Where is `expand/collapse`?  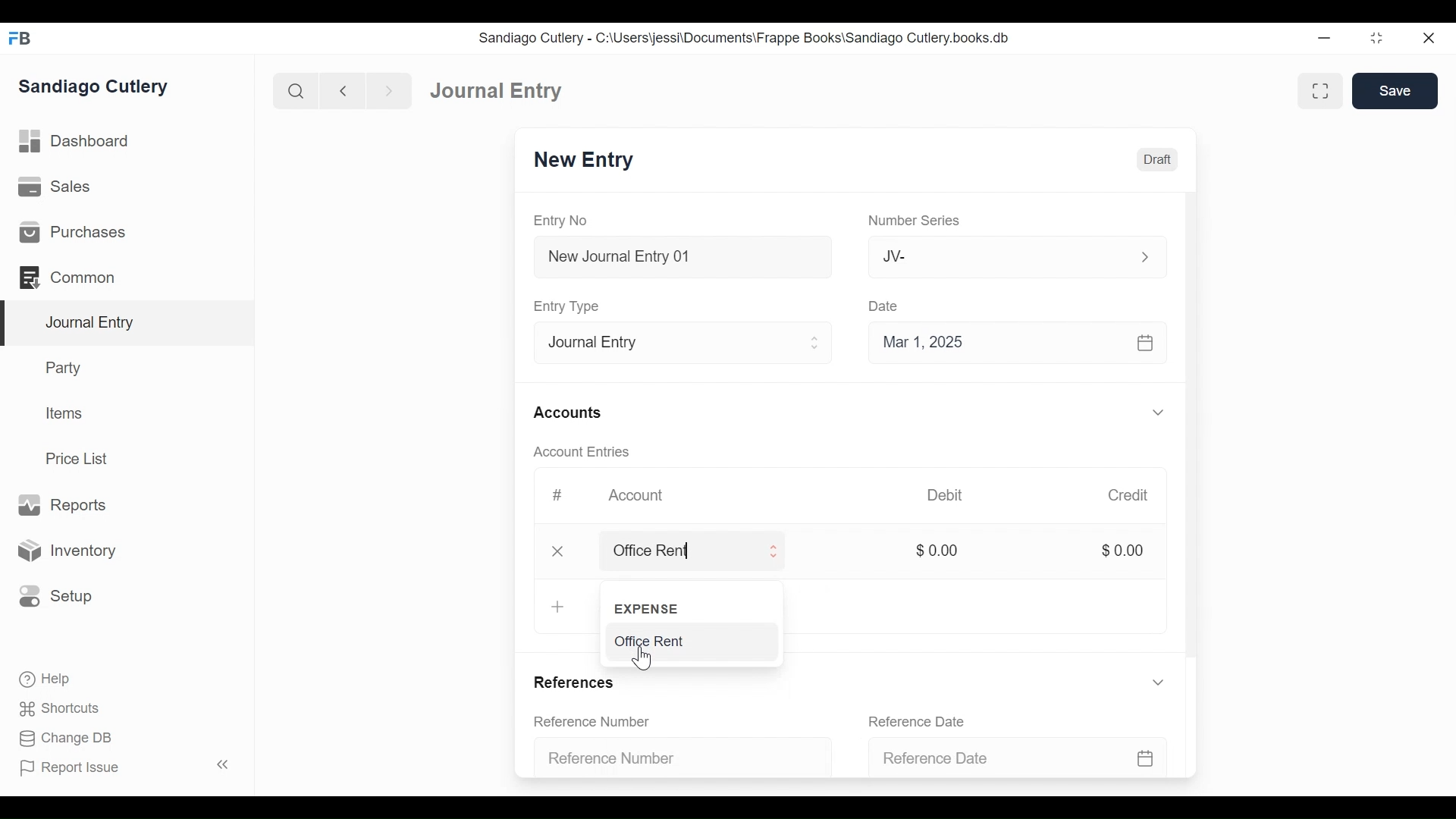 expand/collapse is located at coordinates (1157, 682).